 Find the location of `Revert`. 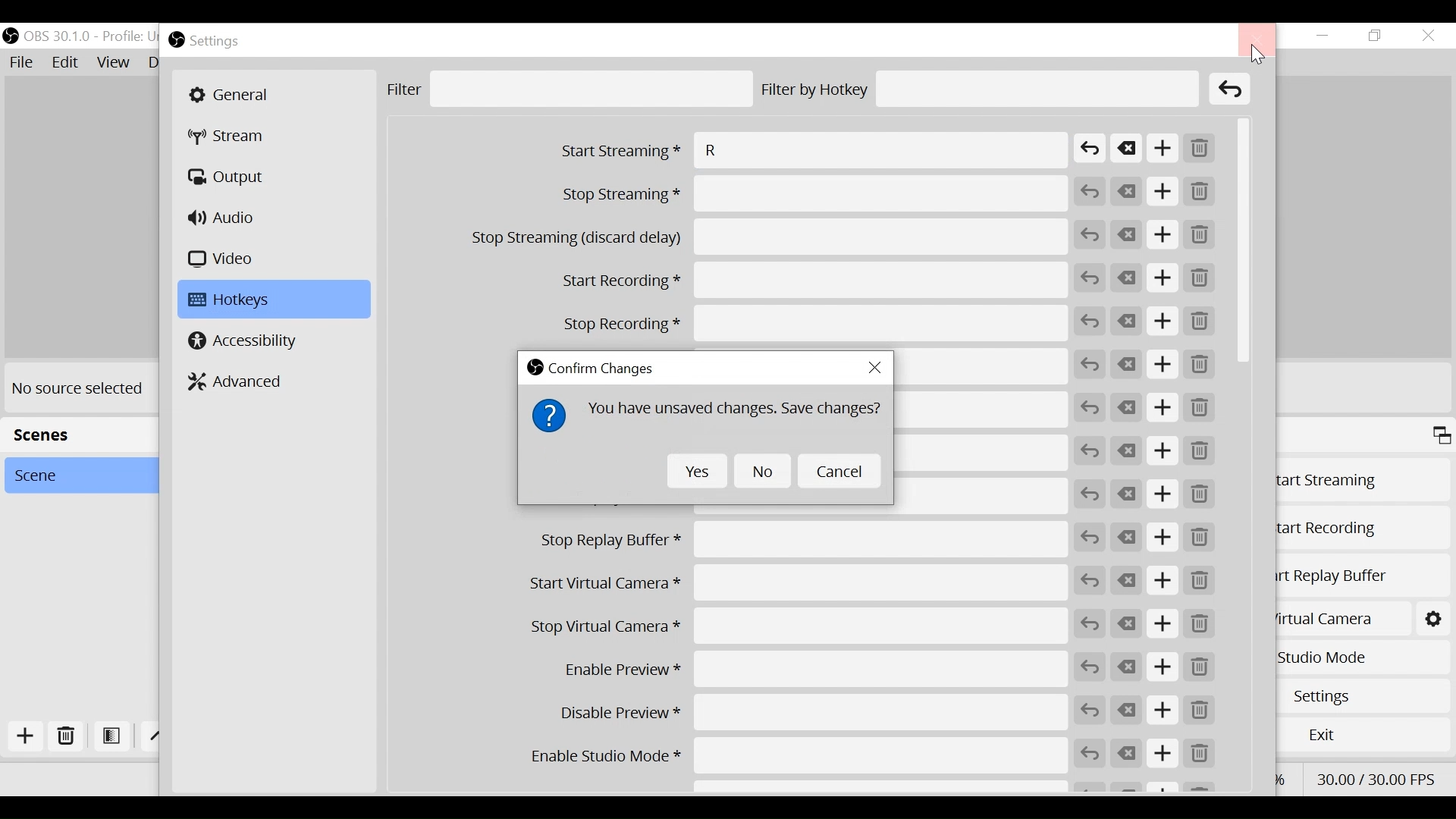

Revert is located at coordinates (1090, 235).